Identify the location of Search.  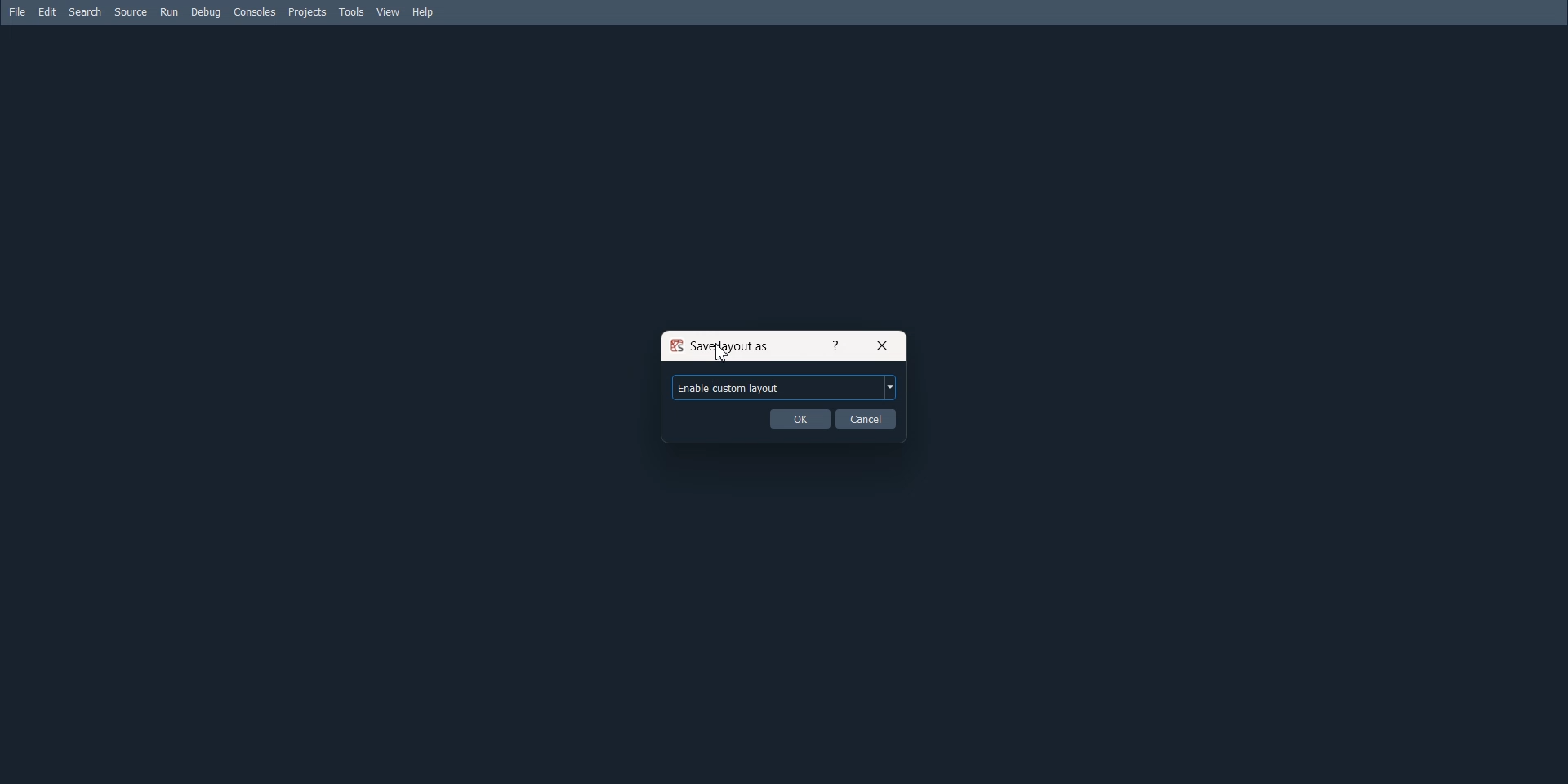
(86, 12).